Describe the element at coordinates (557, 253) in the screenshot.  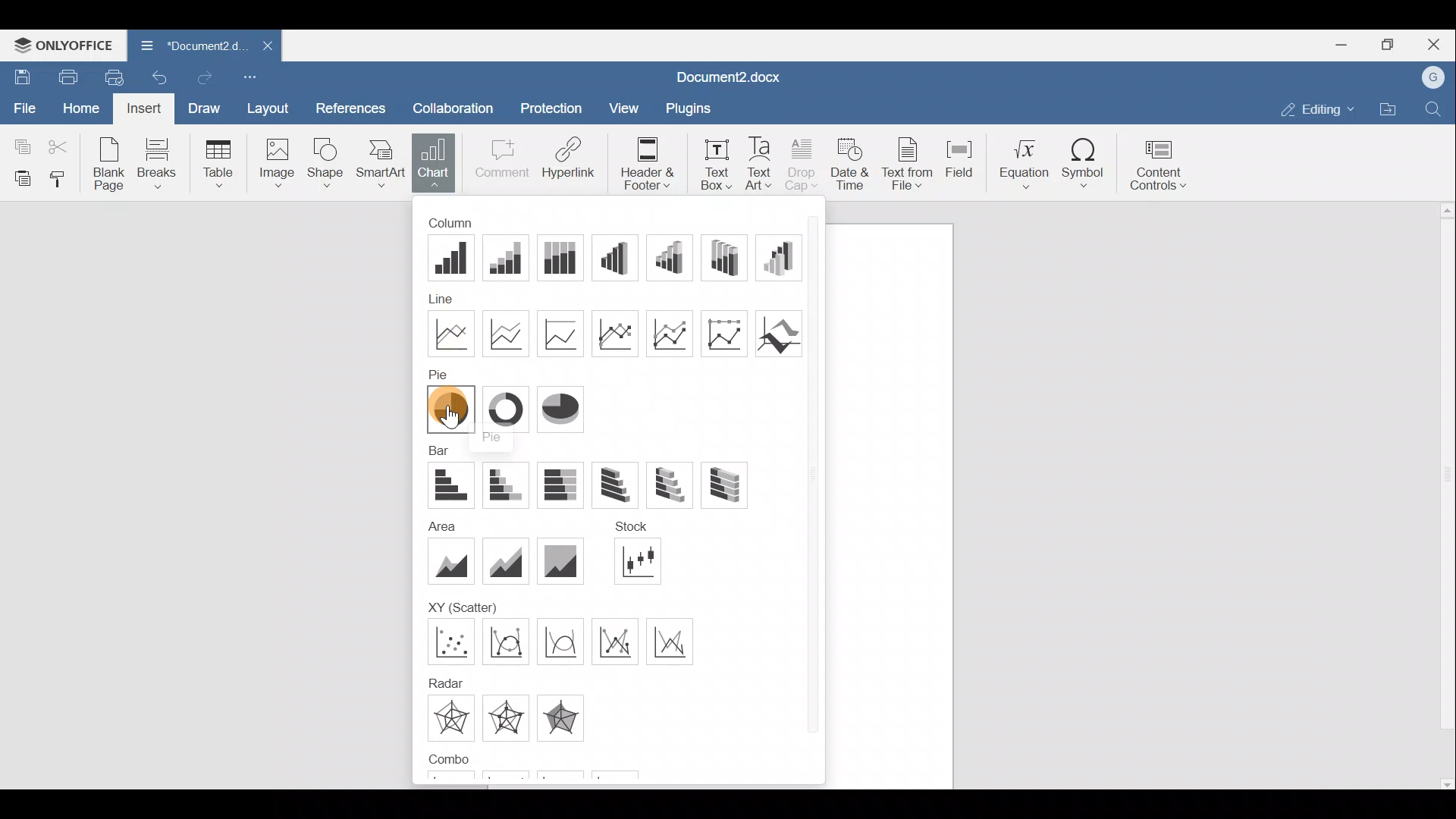
I see `100% stacked column` at that location.